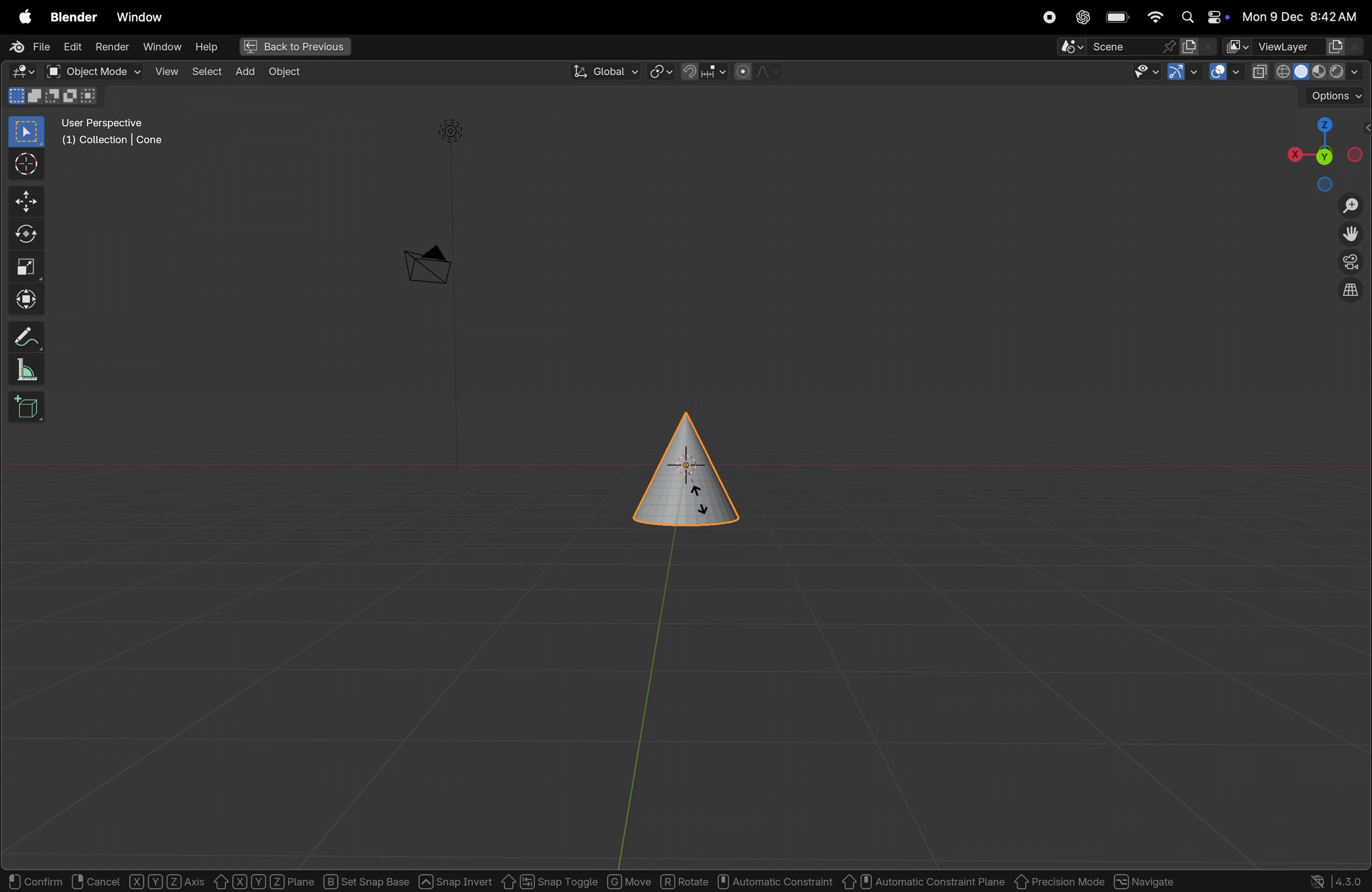 This screenshot has height=892, width=1372. What do you see at coordinates (263, 880) in the screenshot?
I see `X Y Z Plane` at bounding box center [263, 880].